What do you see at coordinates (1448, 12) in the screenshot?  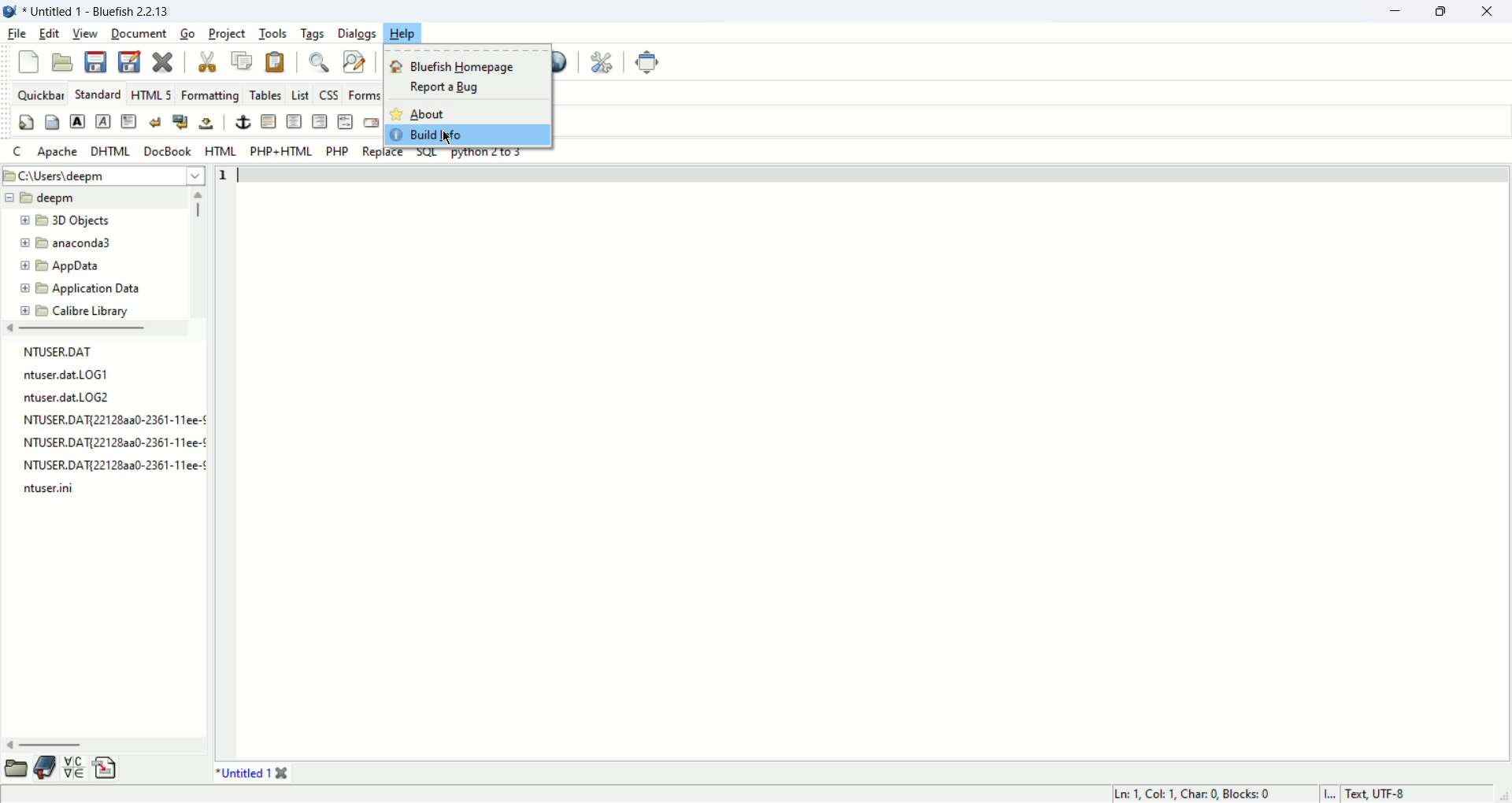 I see `maximize` at bounding box center [1448, 12].